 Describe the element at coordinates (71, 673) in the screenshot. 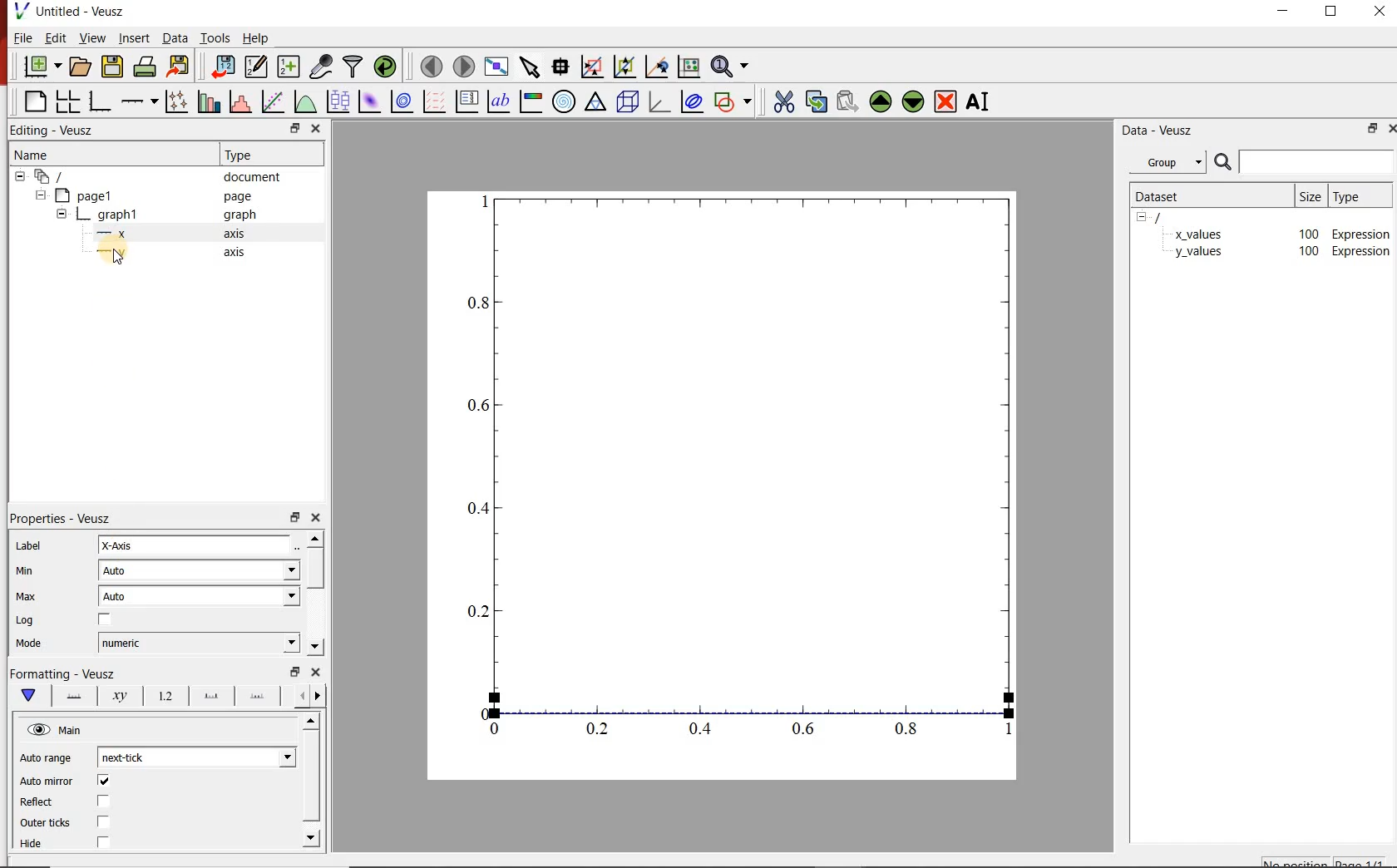

I see `|Formatting - Veusz` at that location.